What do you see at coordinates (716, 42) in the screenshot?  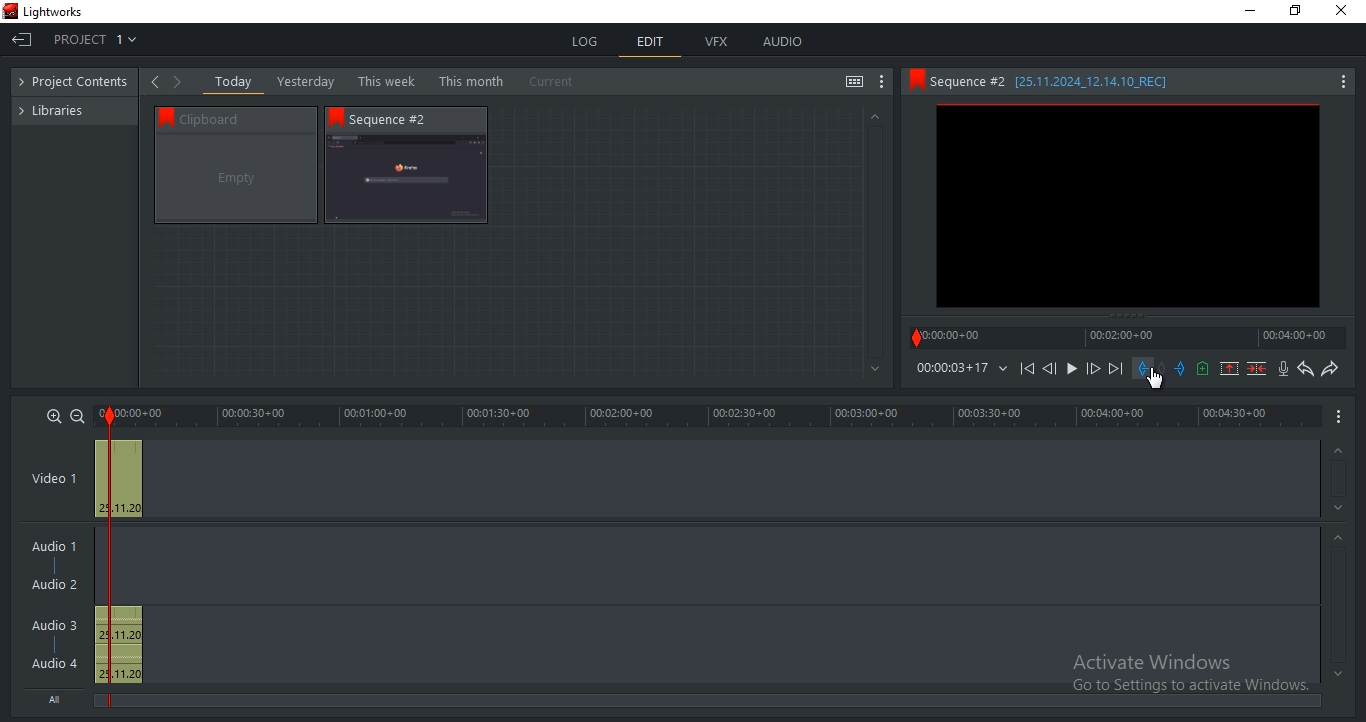 I see `vfx` at bounding box center [716, 42].